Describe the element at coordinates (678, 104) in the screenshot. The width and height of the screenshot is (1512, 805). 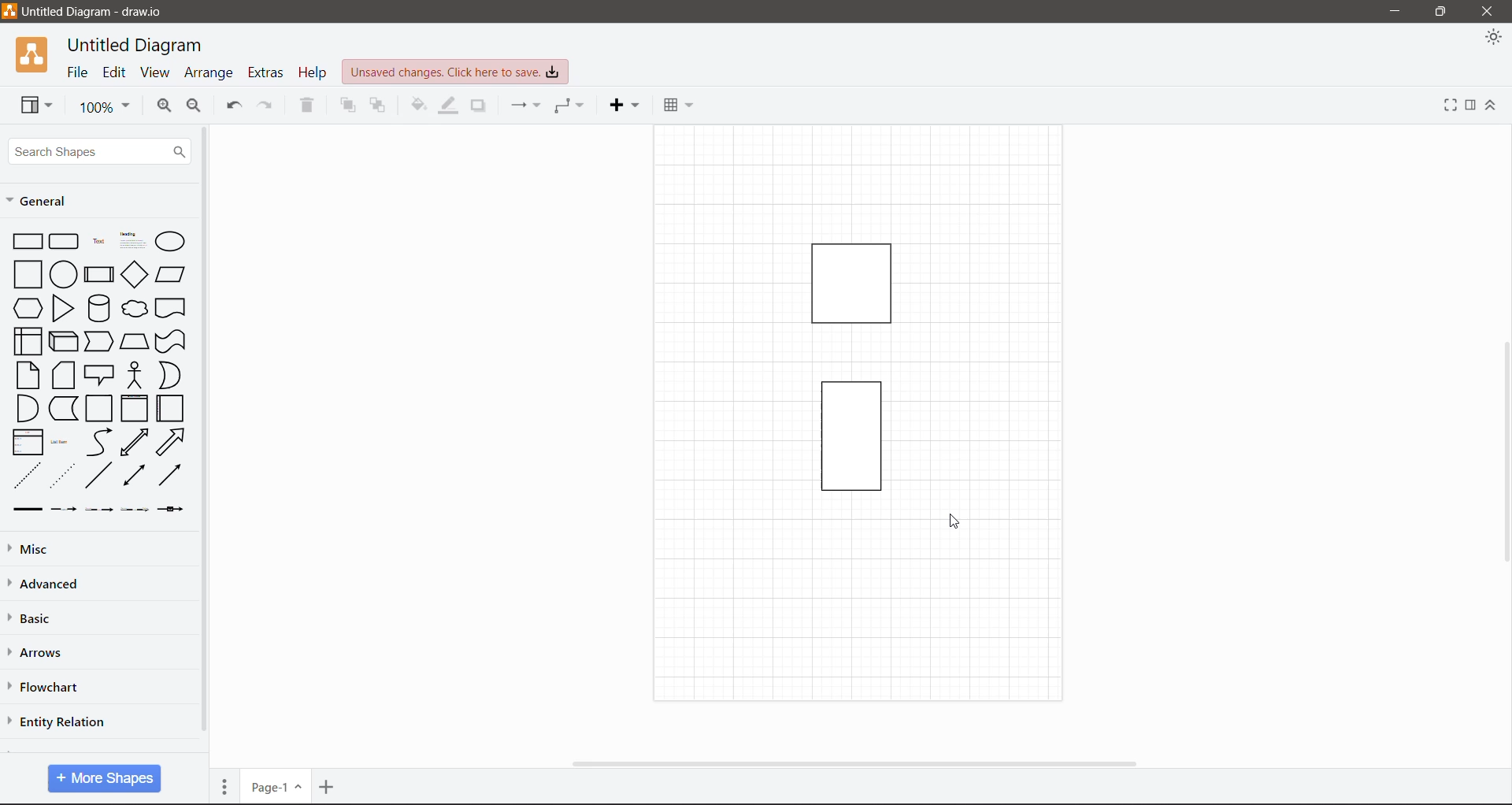
I see `Table` at that location.